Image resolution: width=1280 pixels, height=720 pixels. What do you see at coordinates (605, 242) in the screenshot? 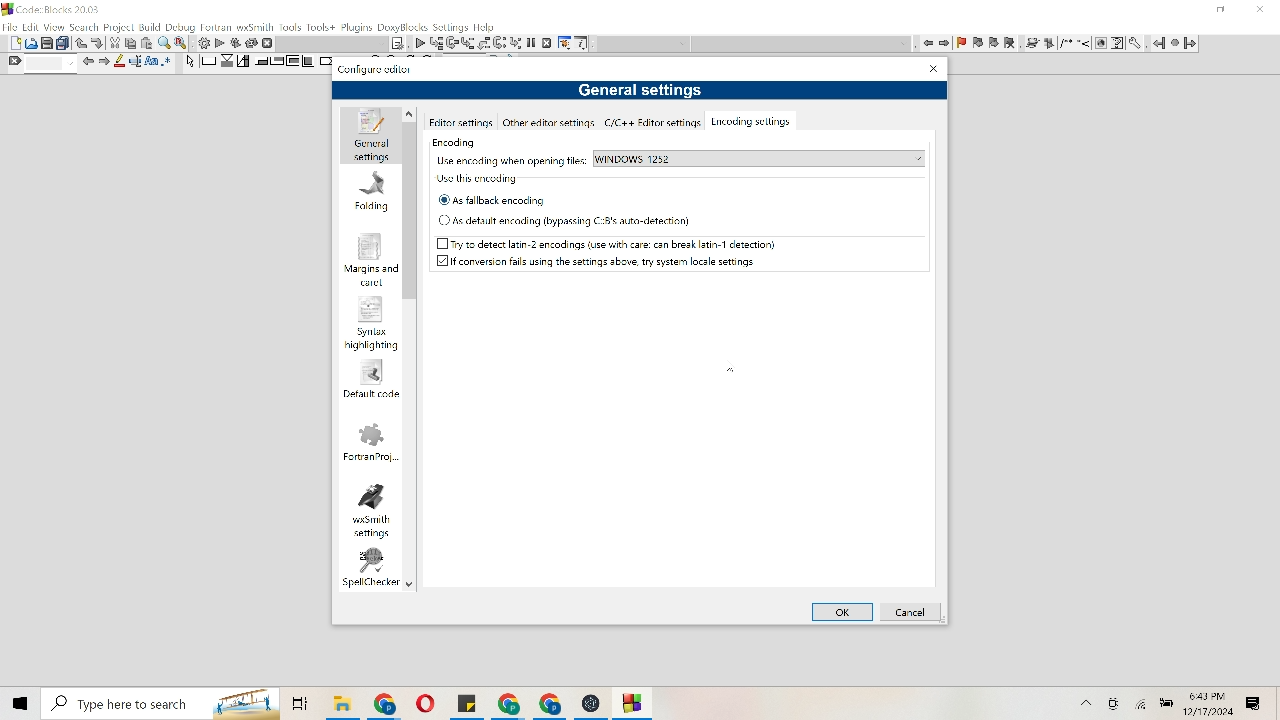
I see `Try to detect latin-2 encodings` at bounding box center [605, 242].